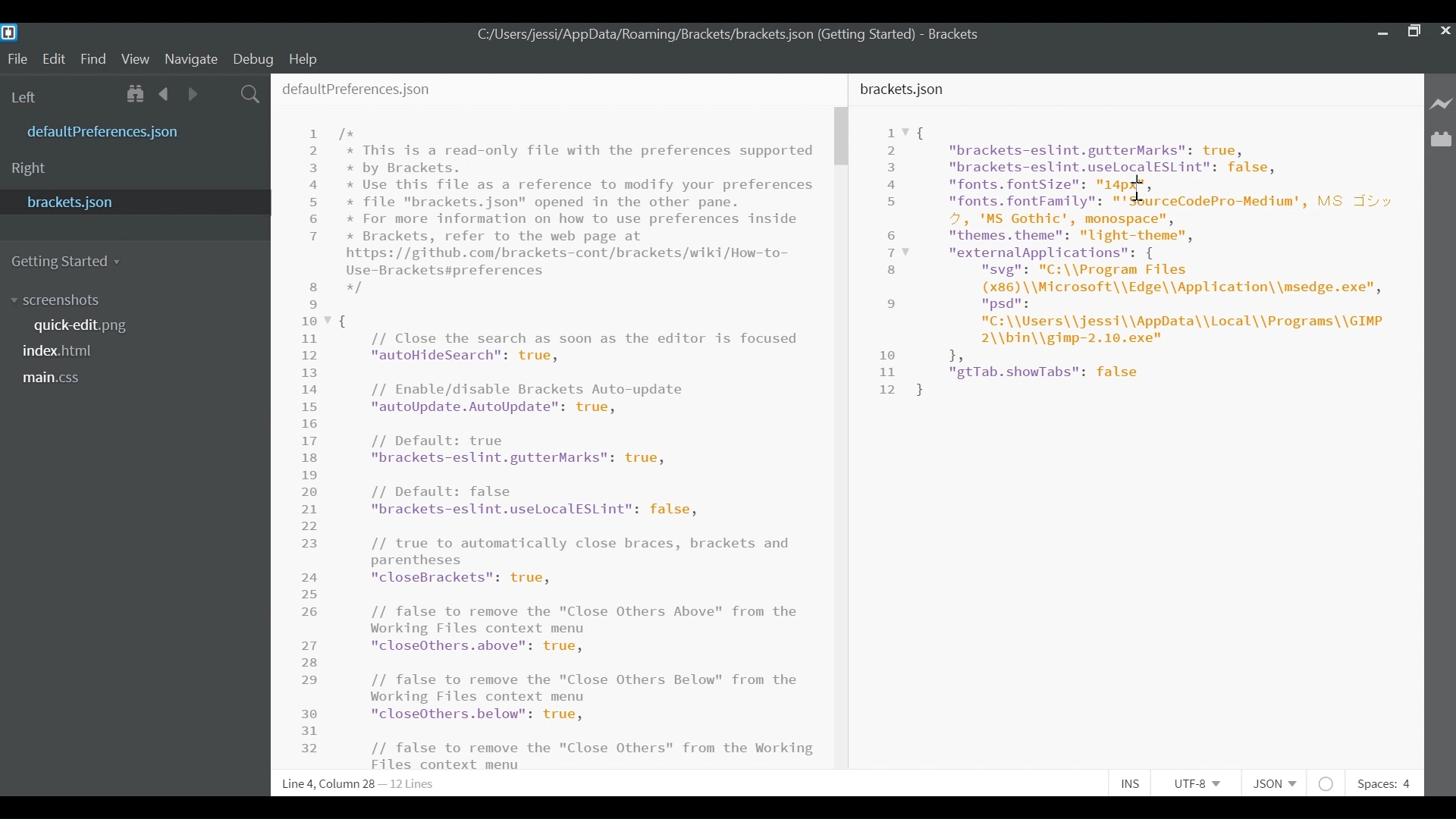 The height and width of the screenshot is (819, 1456). I want to click on C:/Users/jessi/AppData/Roaming/Brackets/brackets. json (Getting Started) - Brackets, so click(743, 36).